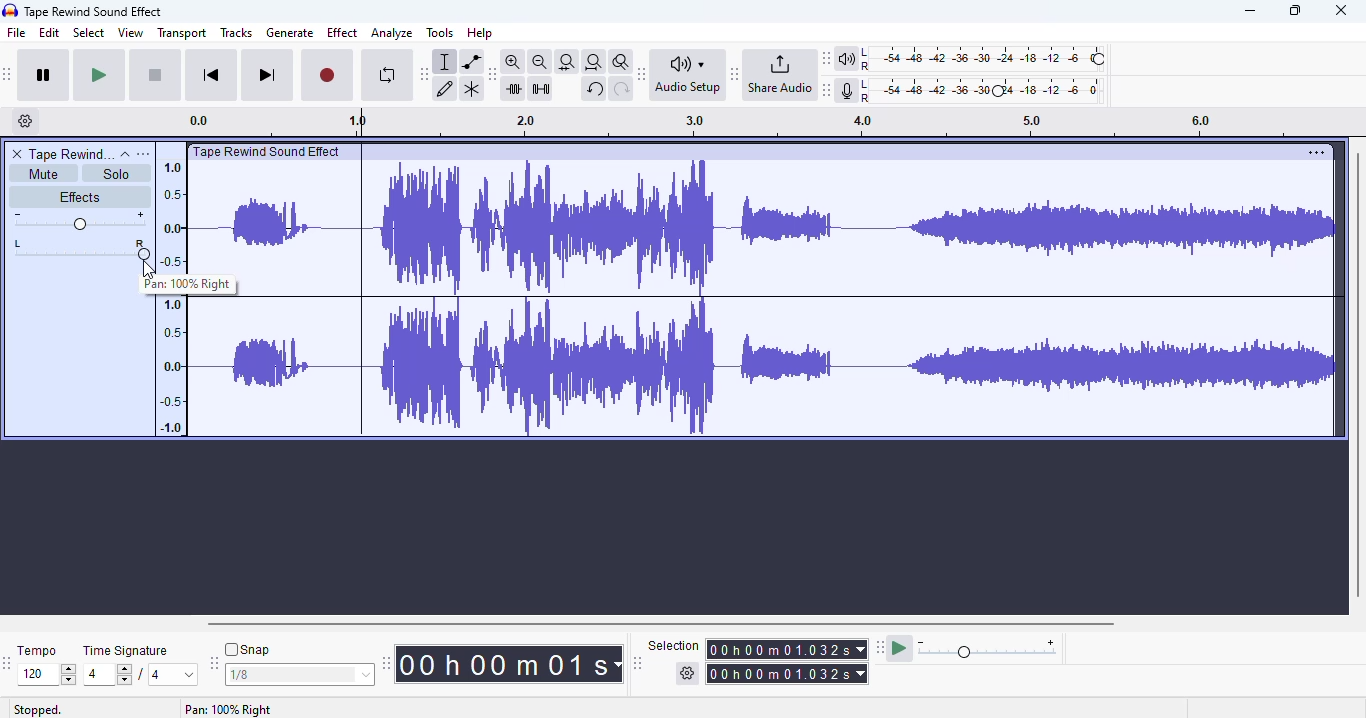  I want to click on collapse, so click(126, 155).